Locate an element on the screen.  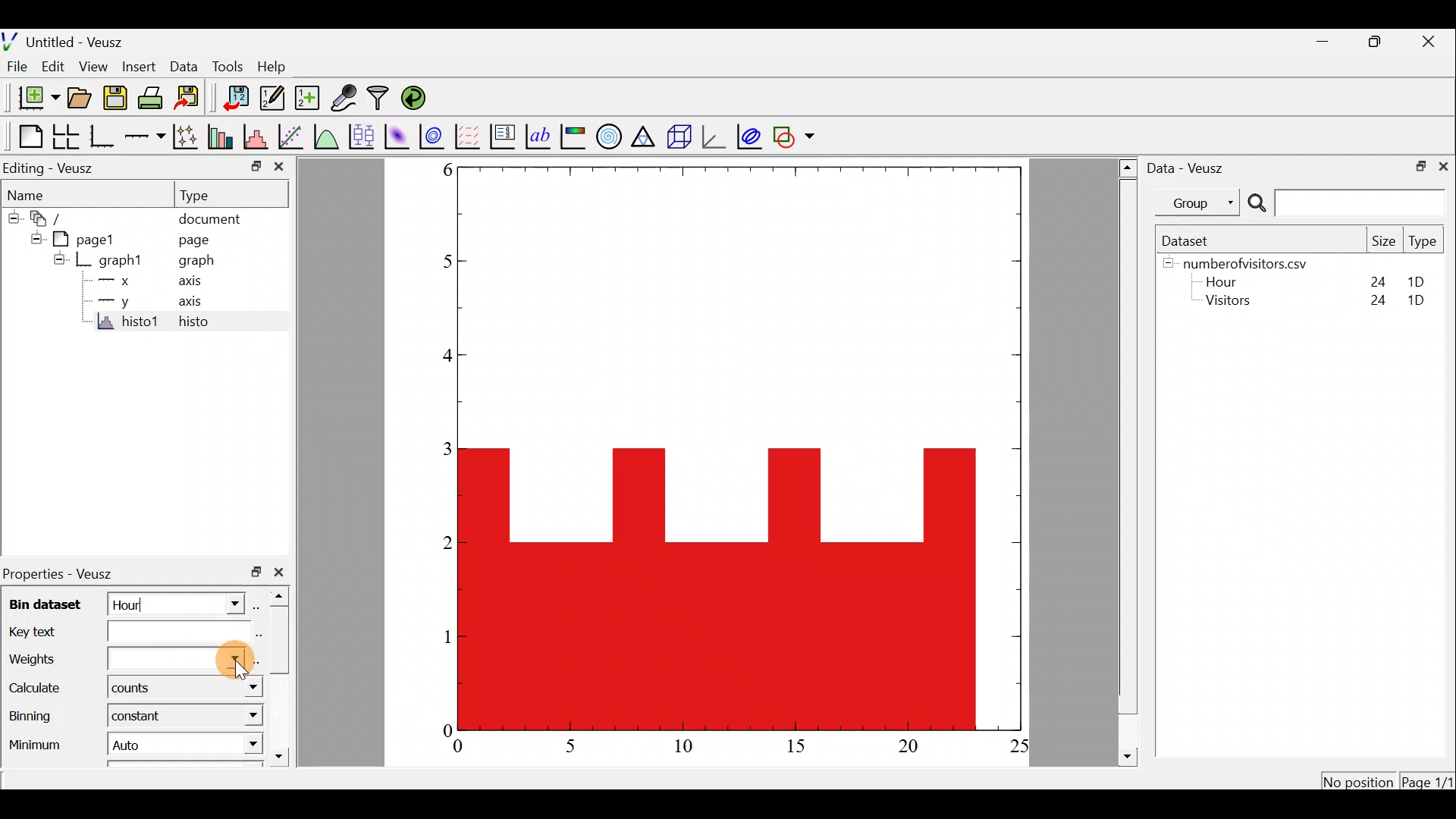
add a shape to the plot is located at coordinates (795, 137).